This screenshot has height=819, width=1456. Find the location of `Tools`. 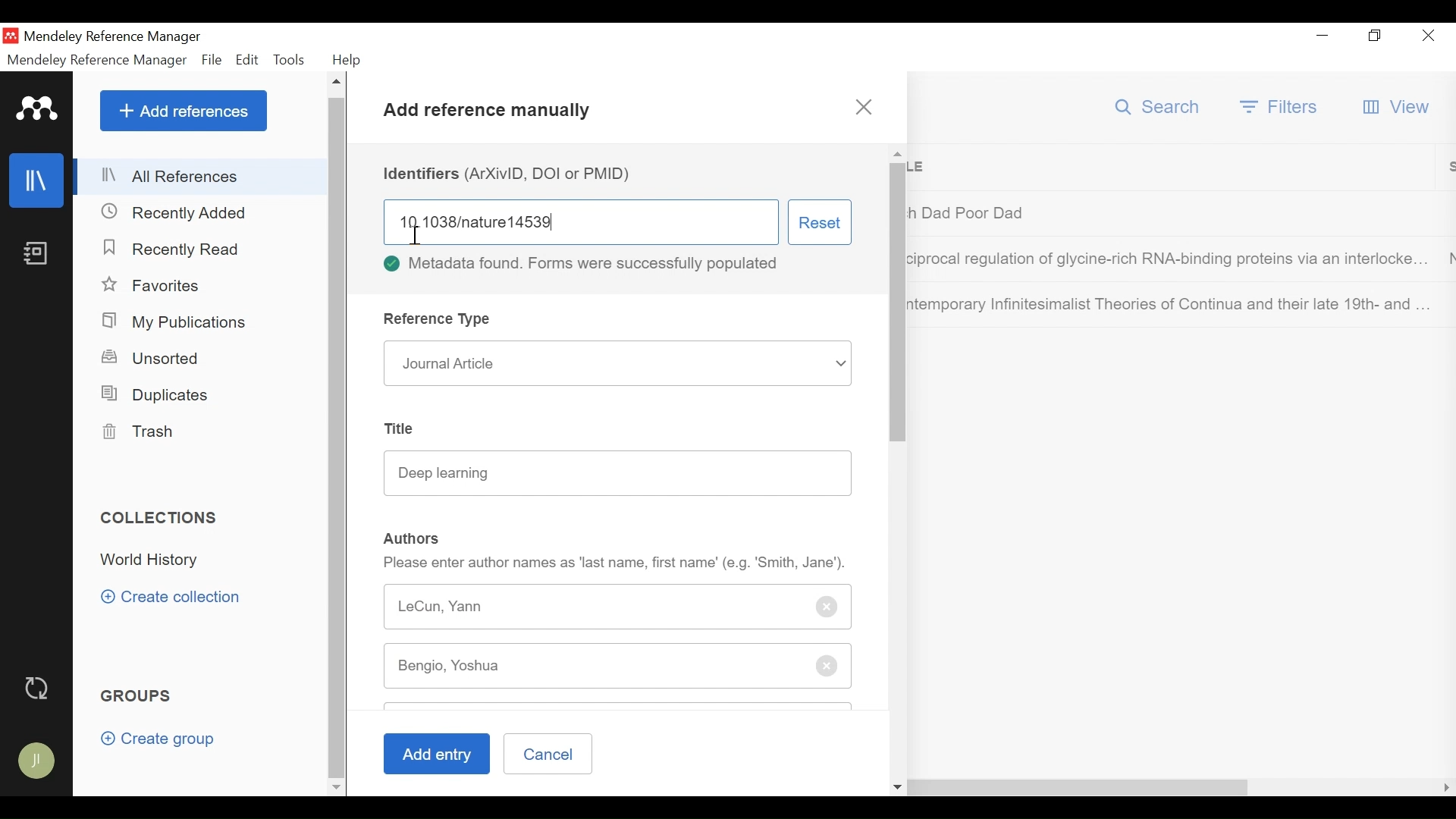

Tools is located at coordinates (290, 58).